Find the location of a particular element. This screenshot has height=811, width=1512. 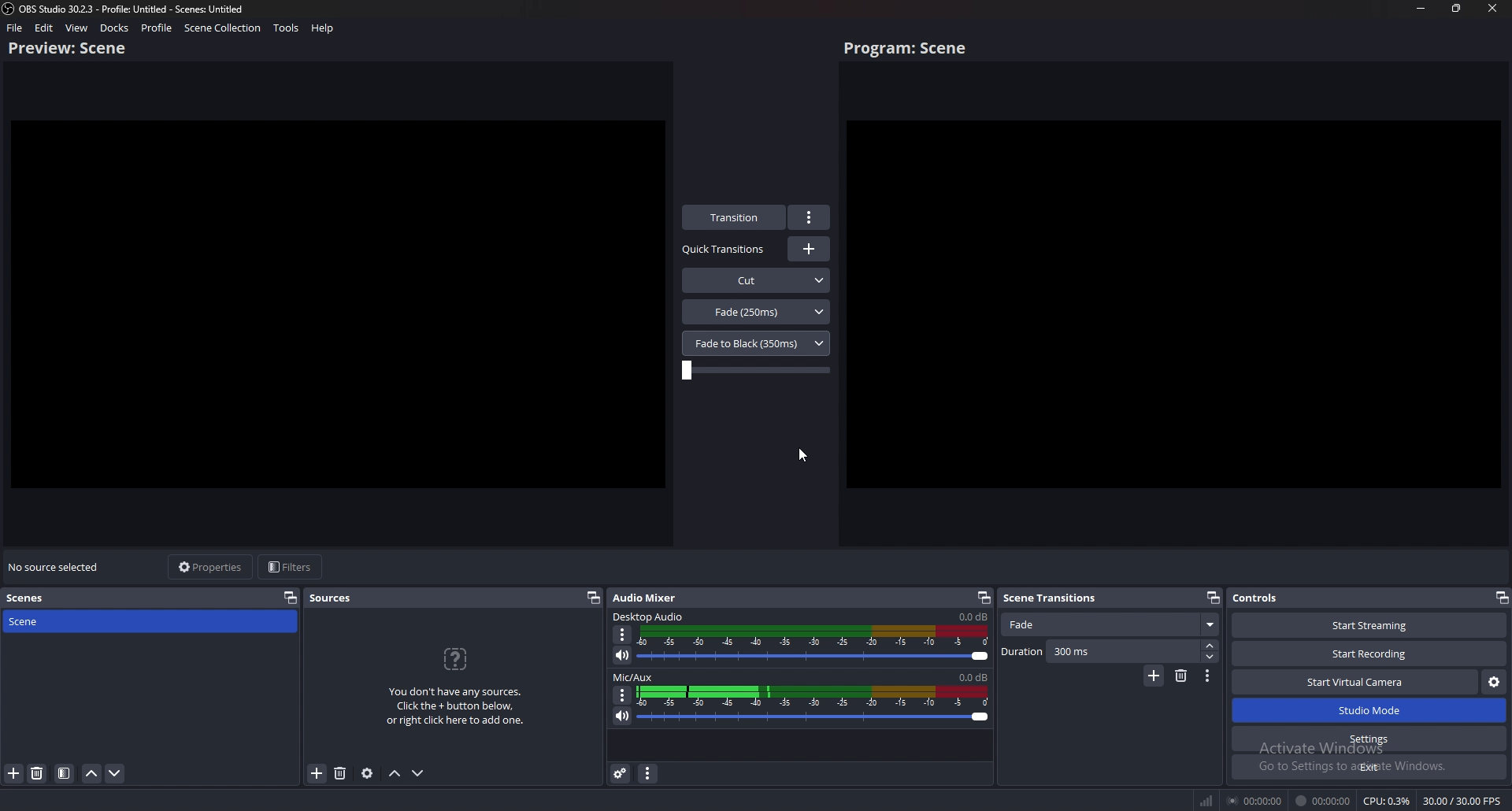

Seen transitions  is located at coordinates (1054, 597).